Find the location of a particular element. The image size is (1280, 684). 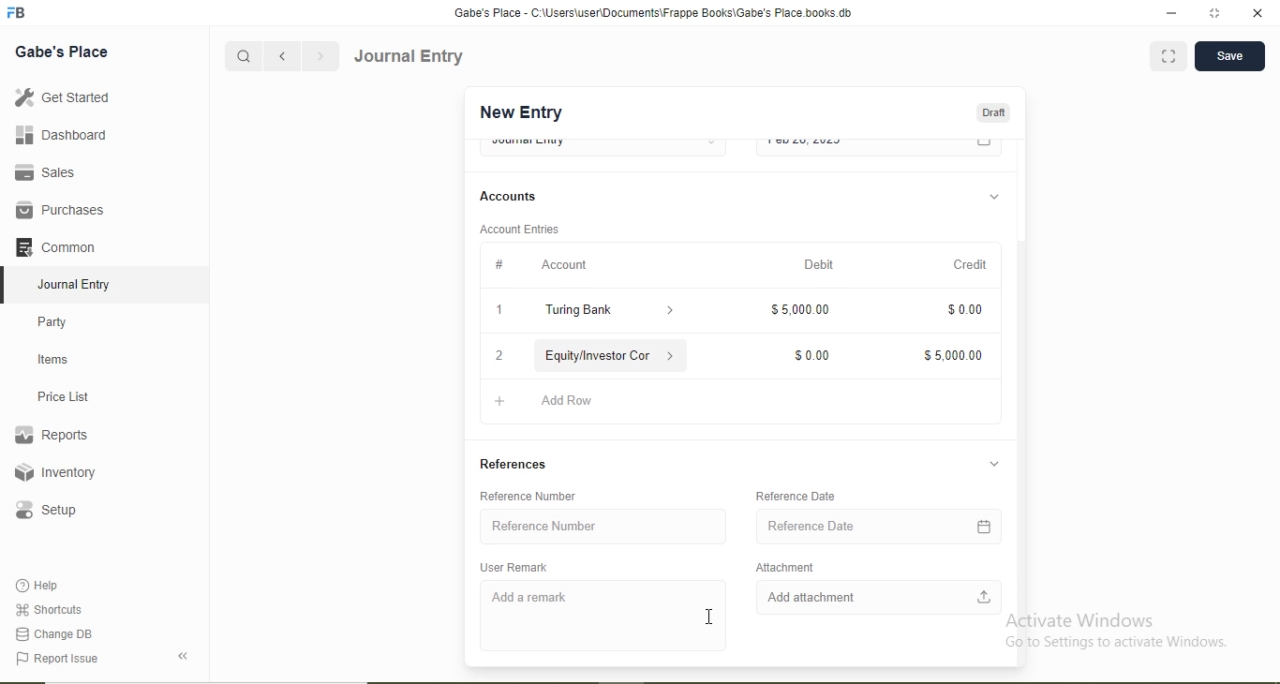

Reference Number is located at coordinates (527, 496).